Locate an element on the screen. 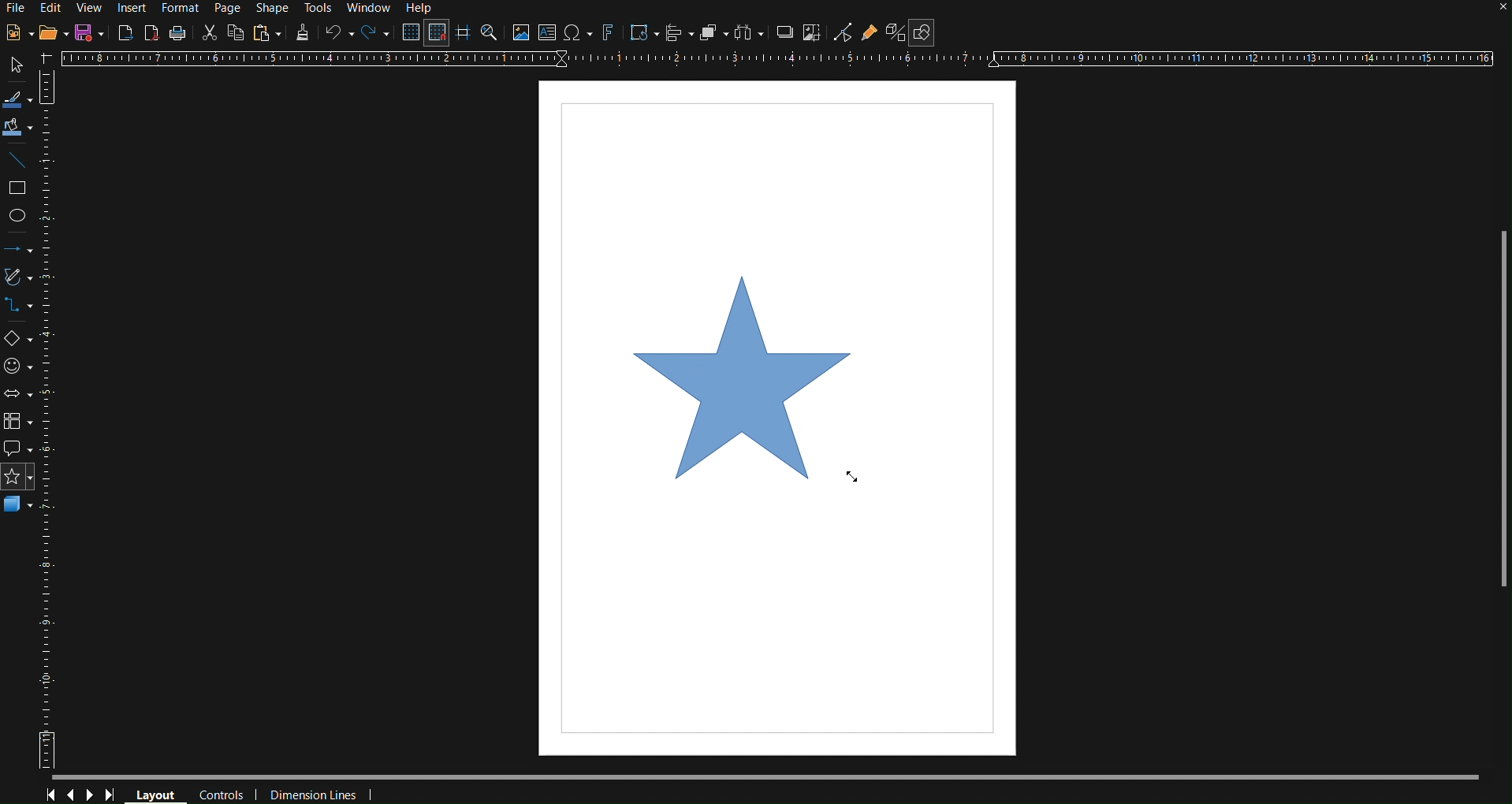 Image resolution: width=1512 pixels, height=804 pixels. Save is located at coordinates (89, 32).